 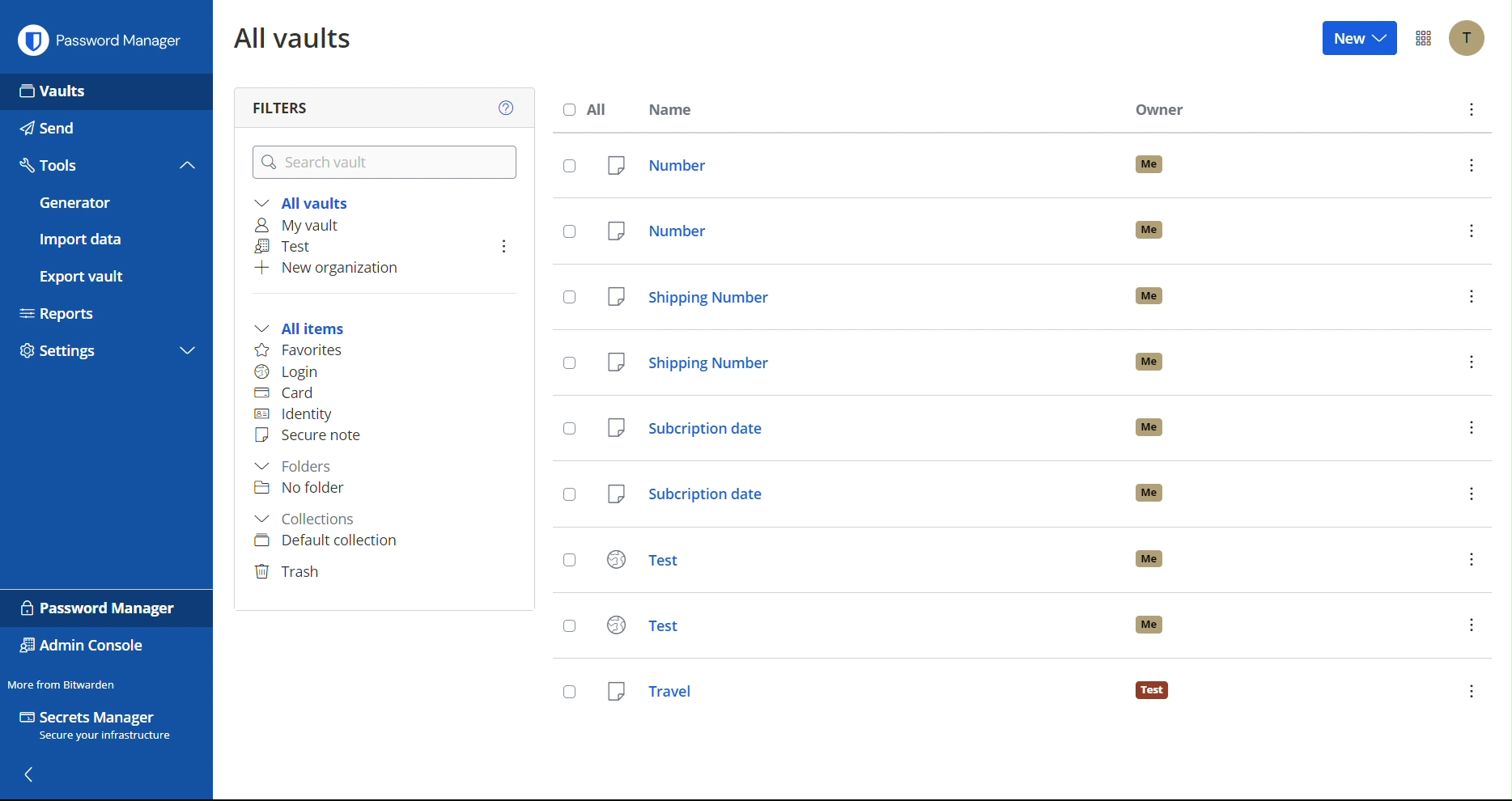 I want to click on options, so click(x=1472, y=230).